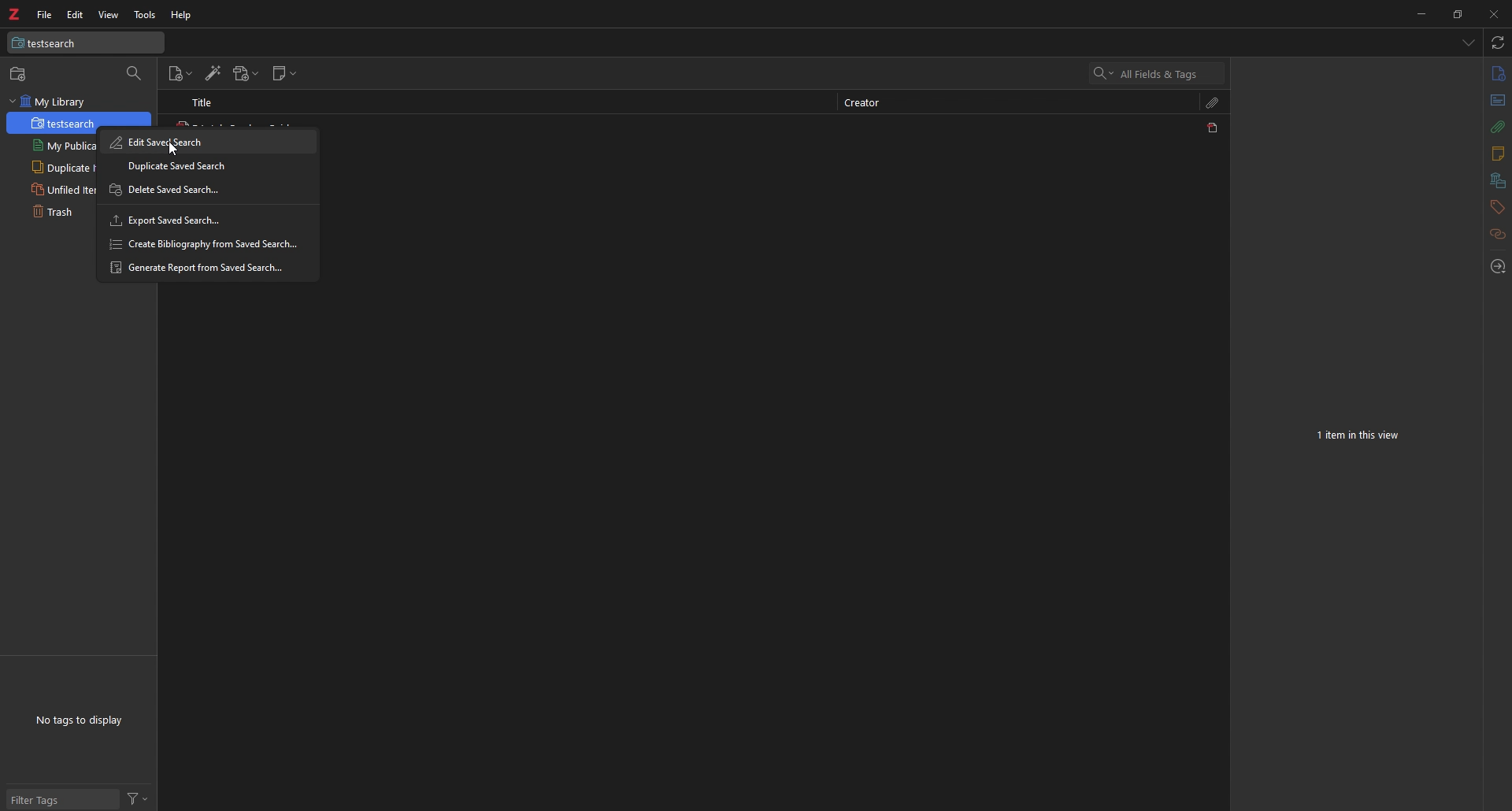 The height and width of the screenshot is (811, 1512). Describe the element at coordinates (1497, 207) in the screenshot. I see `tags` at that location.